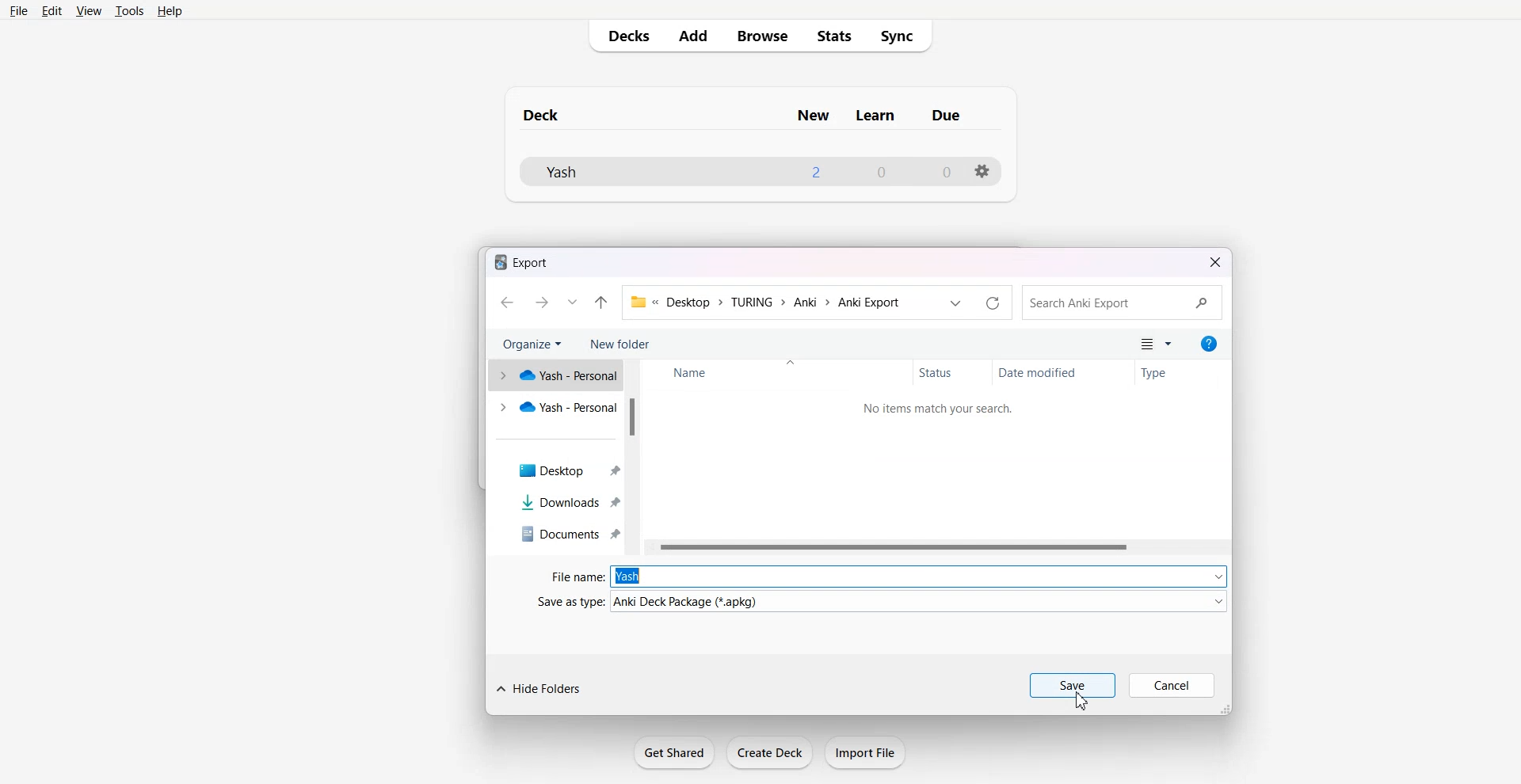 The image size is (1521, 784). What do you see at coordinates (537, 688) in the screenshot?
I see `Hide Folder` at bounding box center [537, 688].